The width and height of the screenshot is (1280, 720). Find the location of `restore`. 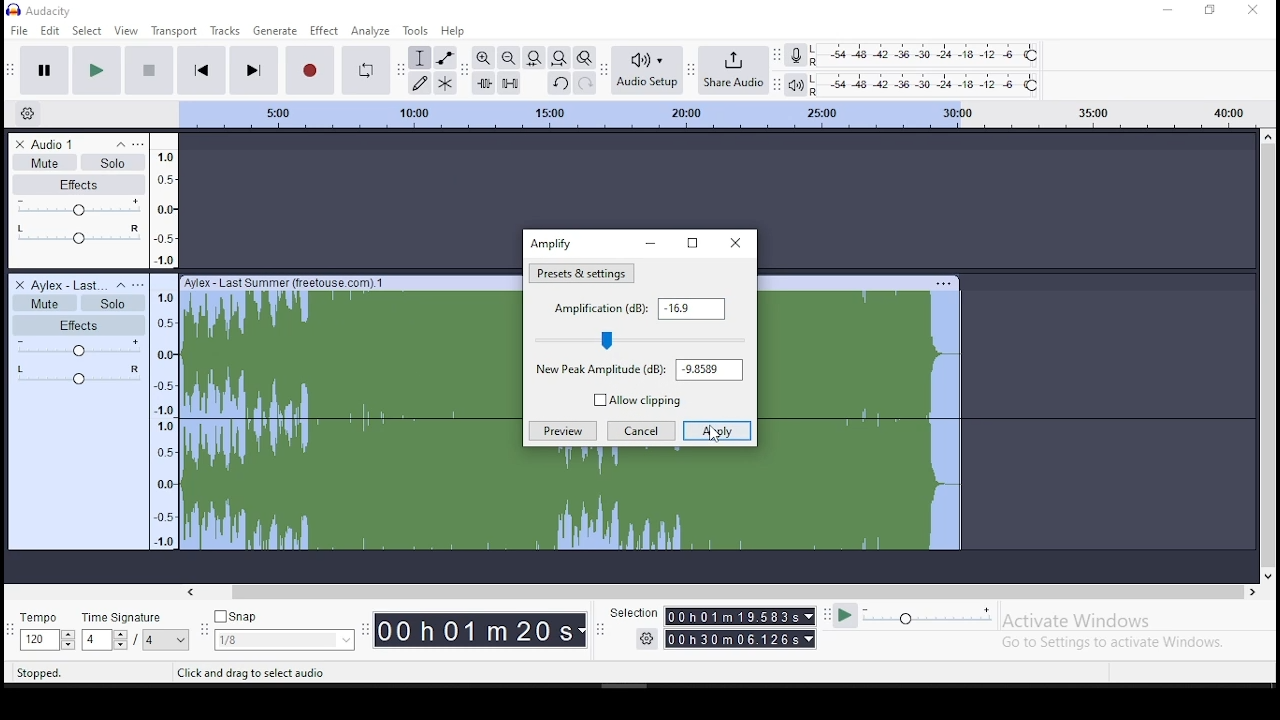

restore is located at coordinates (1209, 11).